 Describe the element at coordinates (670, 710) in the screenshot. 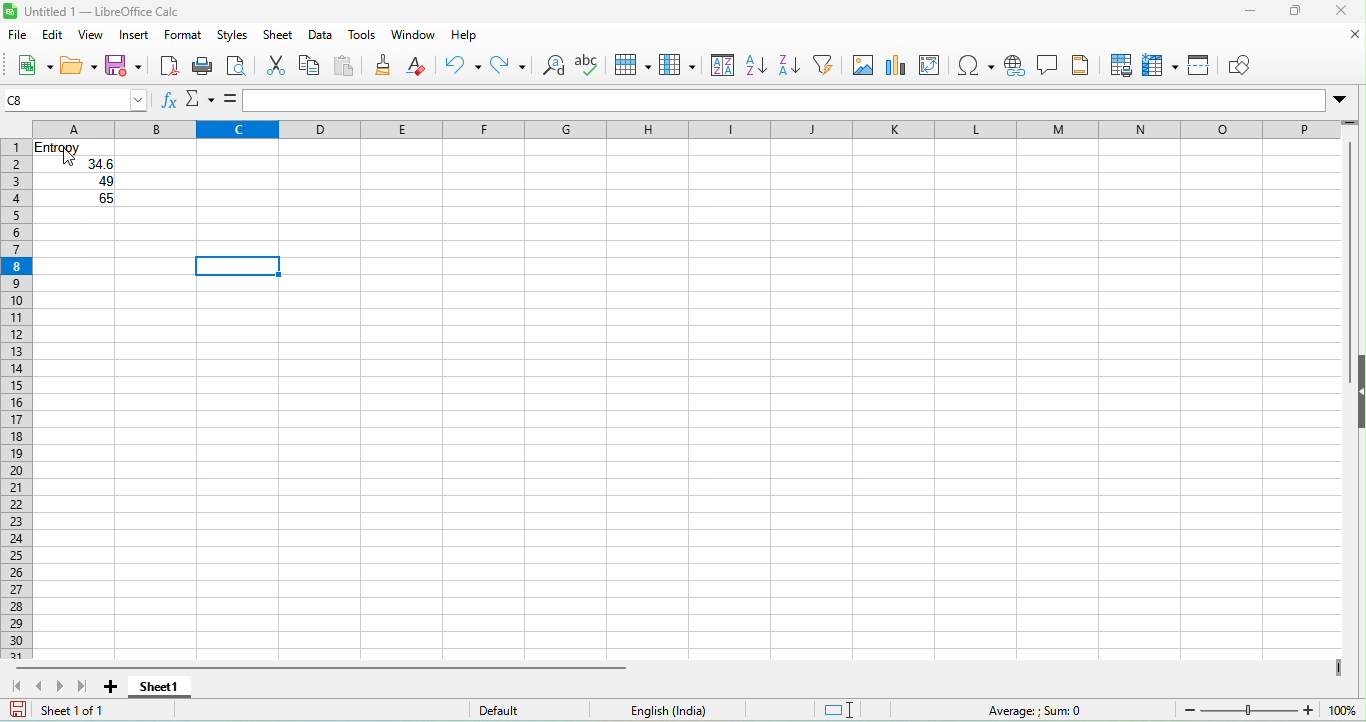

I see `text language` at that location.